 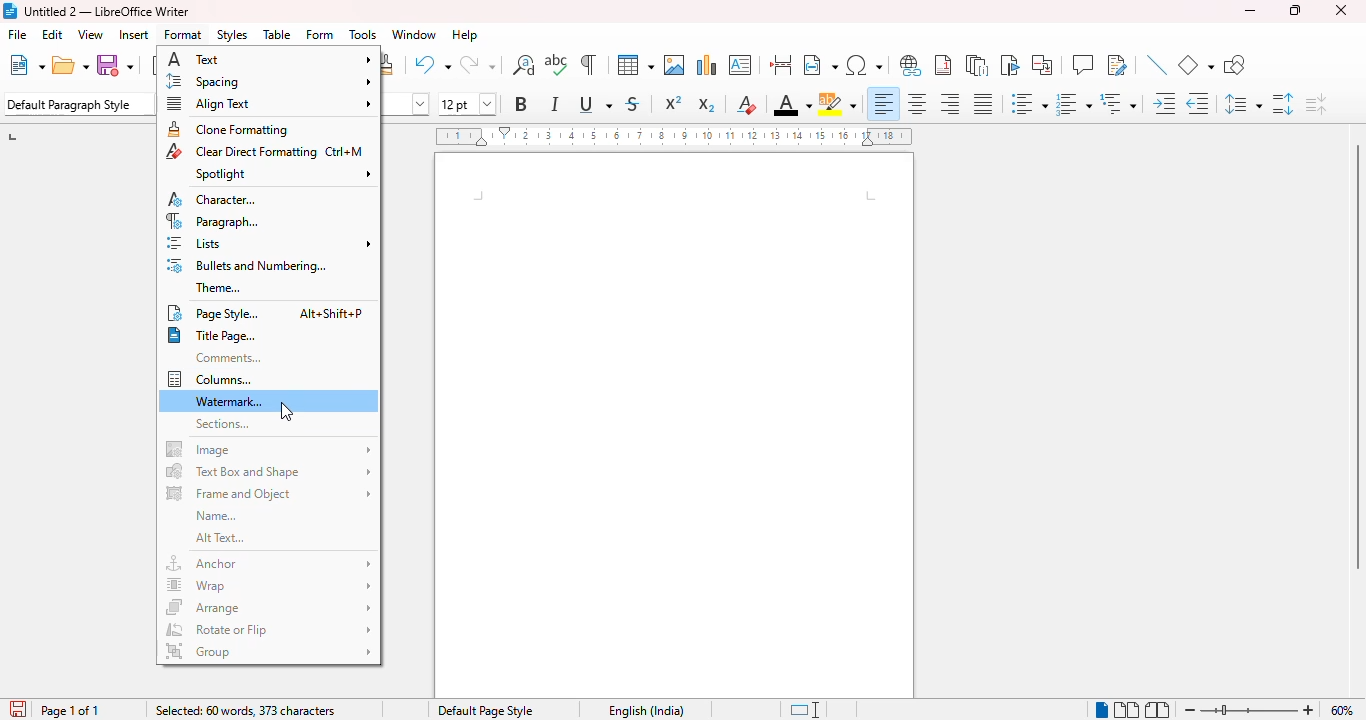 I want to click on toggle unordered list, so click(x=1029, y=103).